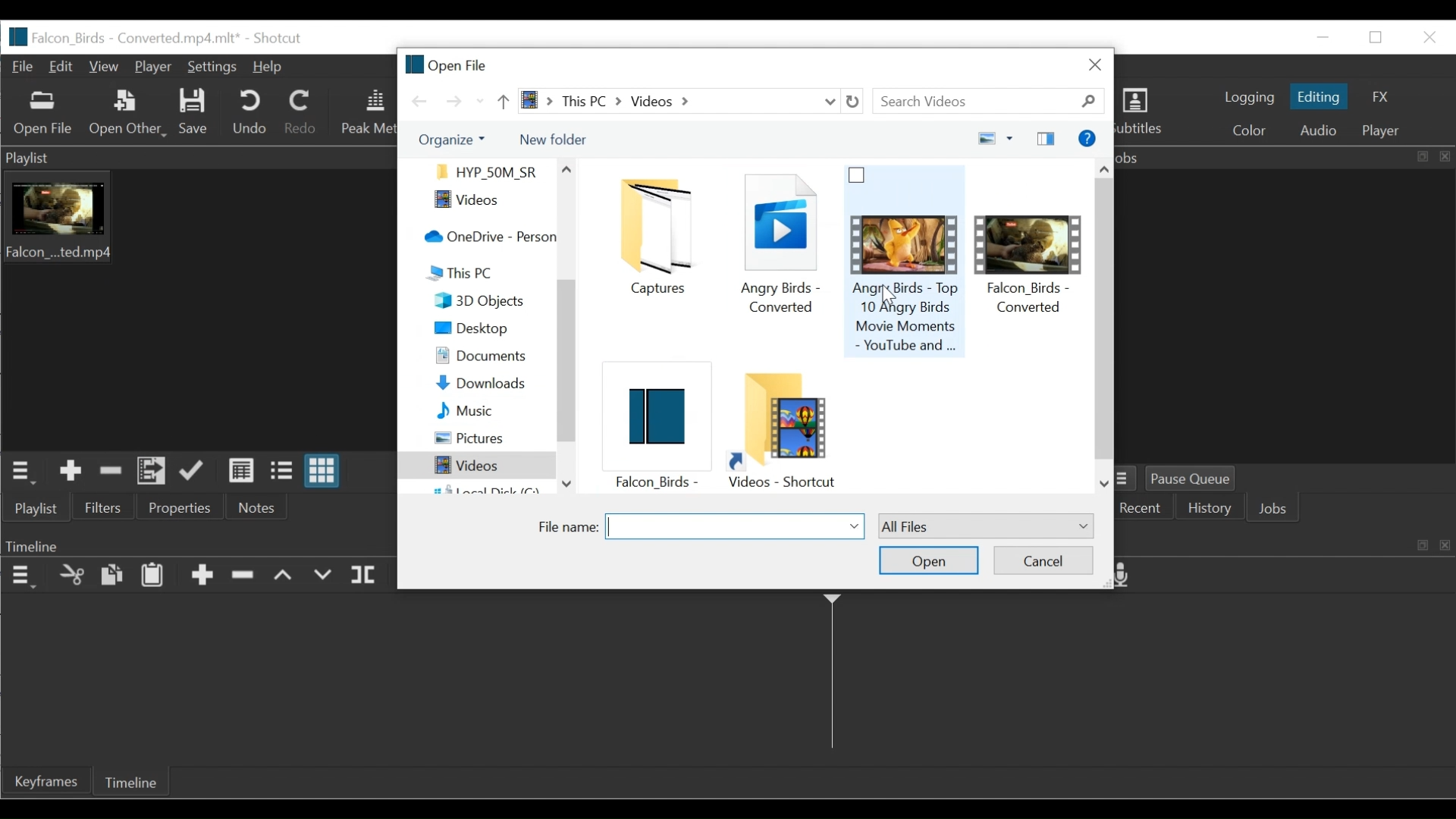 The image size is (1456, 819). I want to click on Timeline Panel, so click(21, 576).